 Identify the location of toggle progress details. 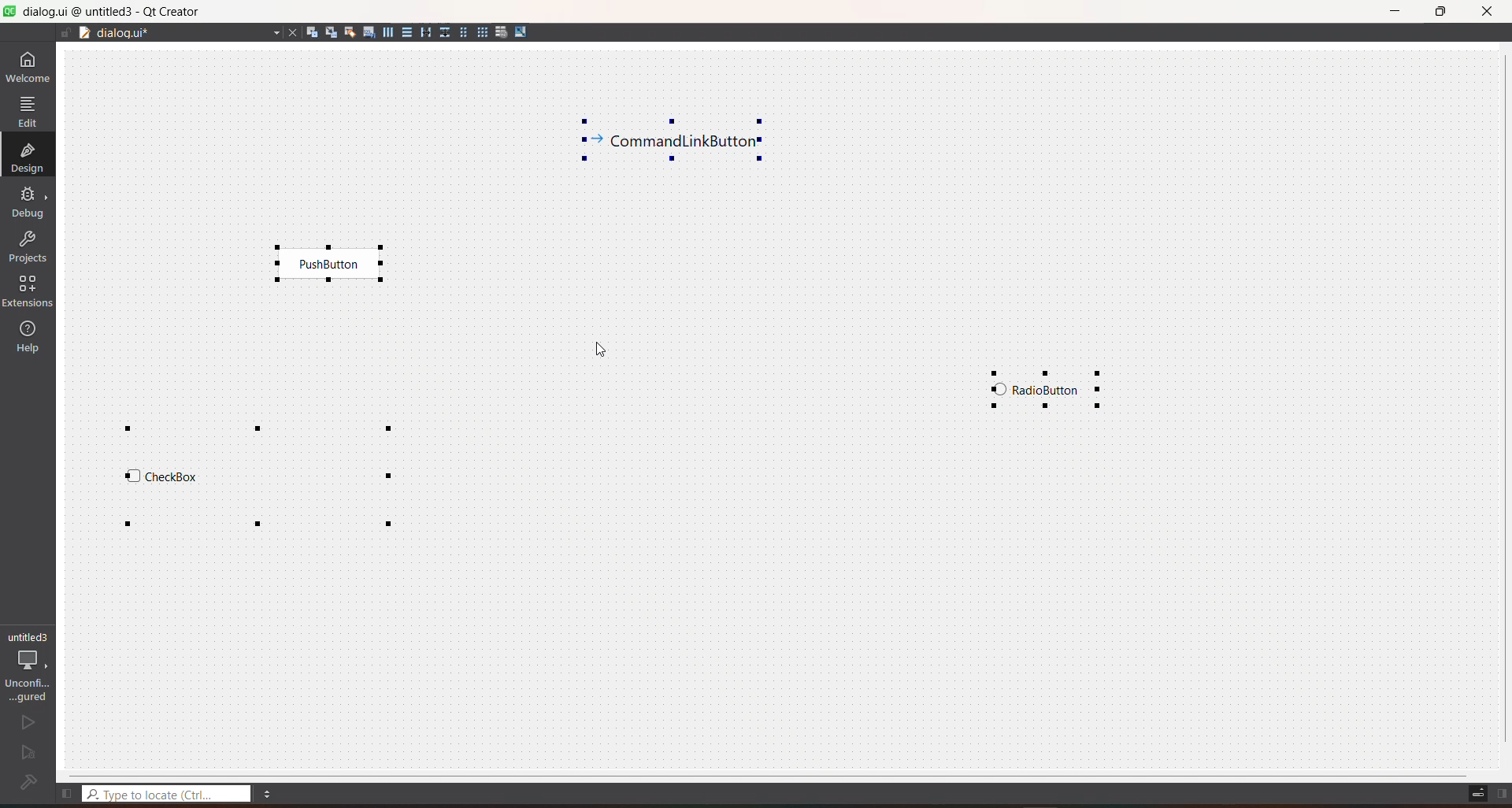
(1476, 794).